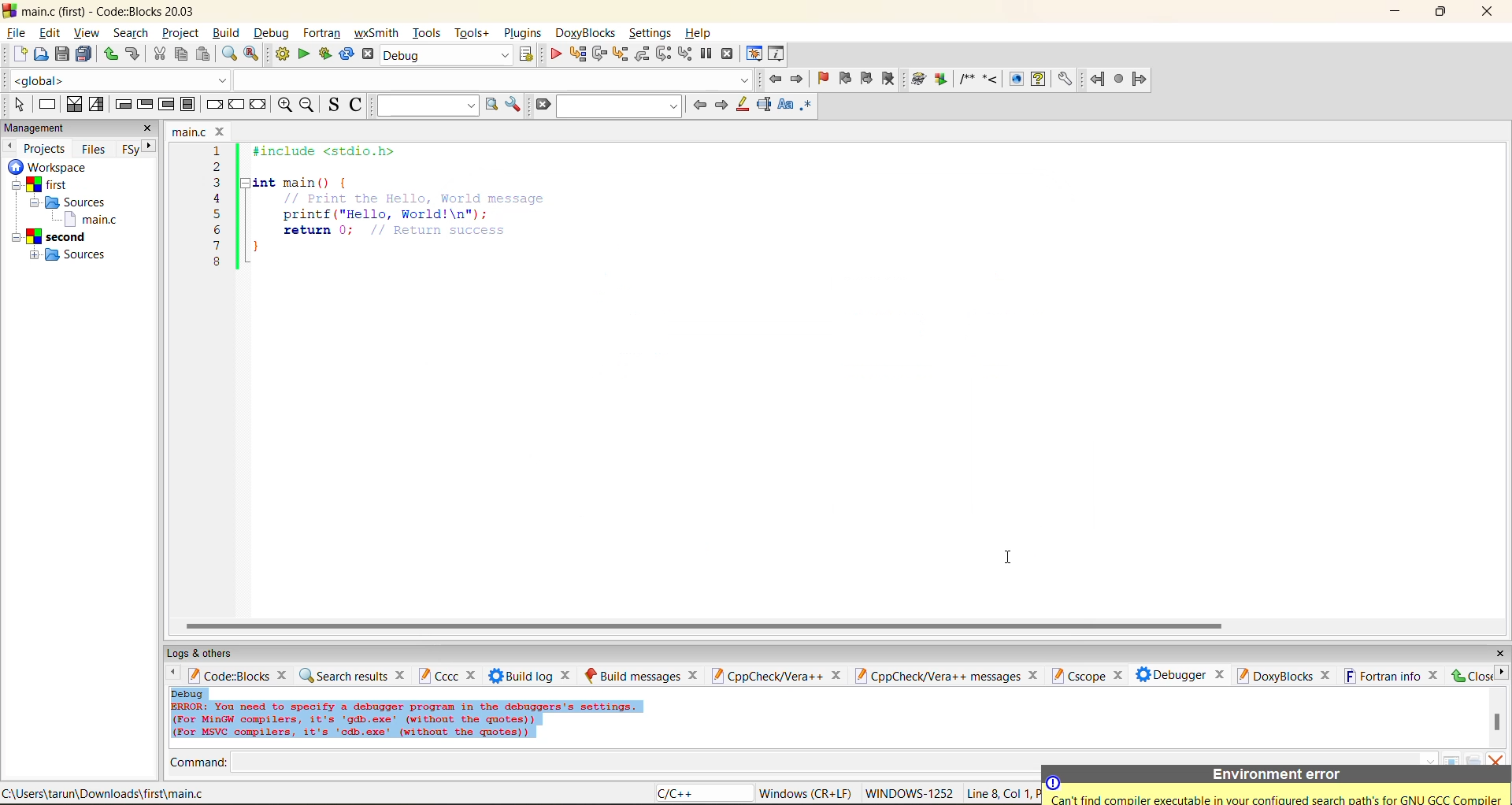 The width and height of the screenshot is (1512, 805). What do you see at coordinates (936, 676) in the screenshot?
I see `cppcheck/vera++ messages` at bounding box center [936, 676].